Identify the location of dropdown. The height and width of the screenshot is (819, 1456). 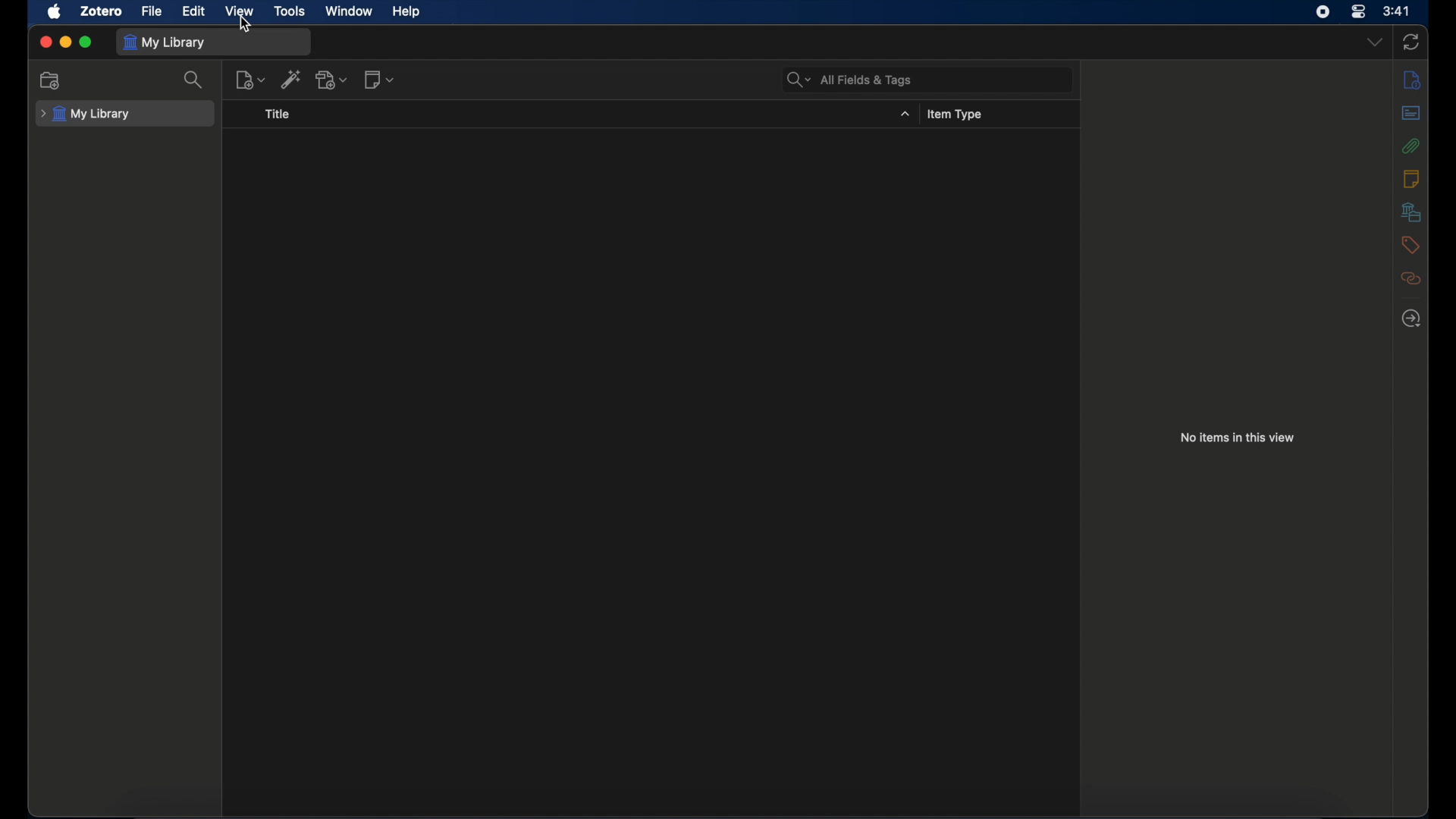
(905, 114).